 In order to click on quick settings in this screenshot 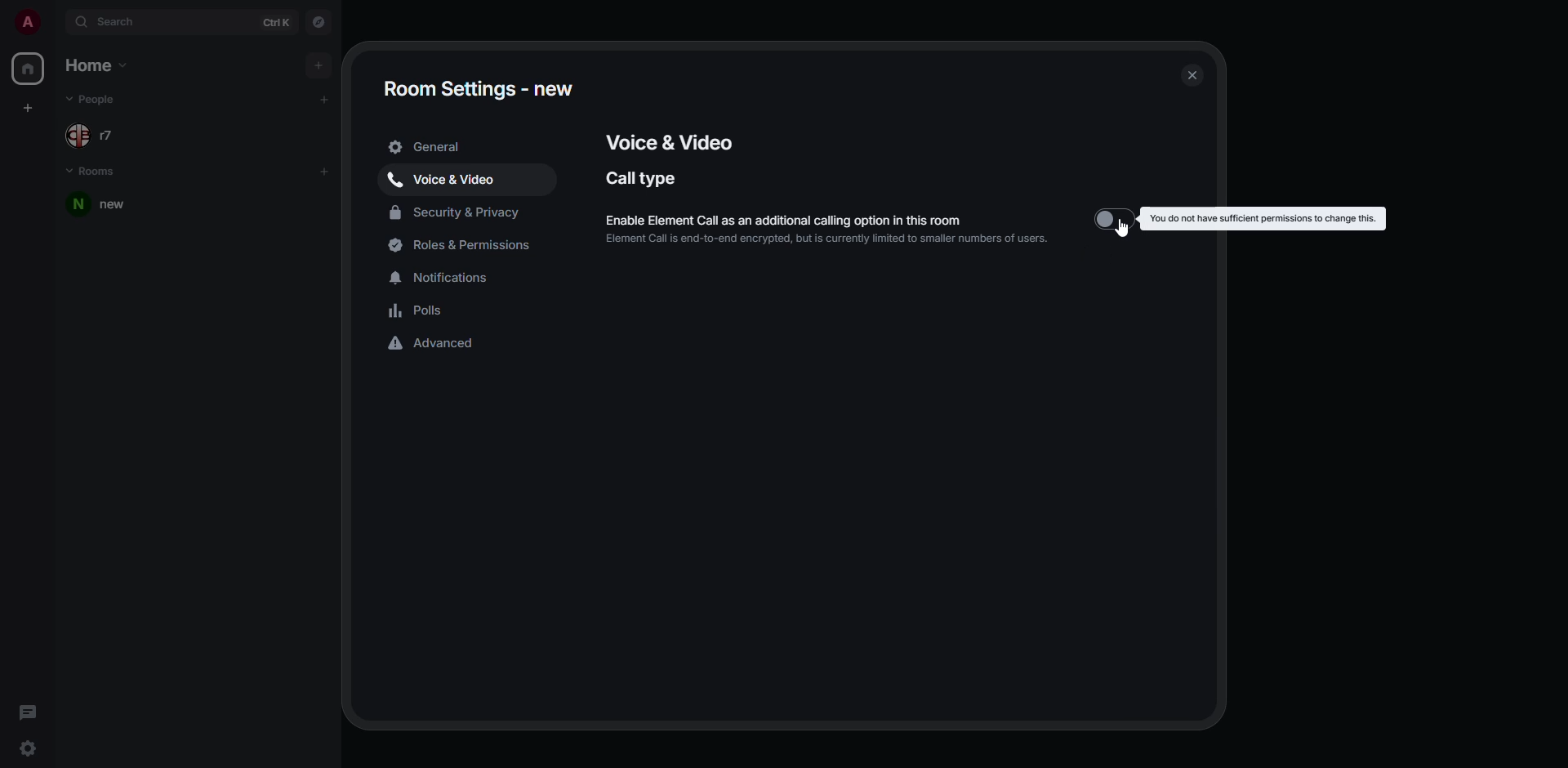, I will do `click(30, 748)`.